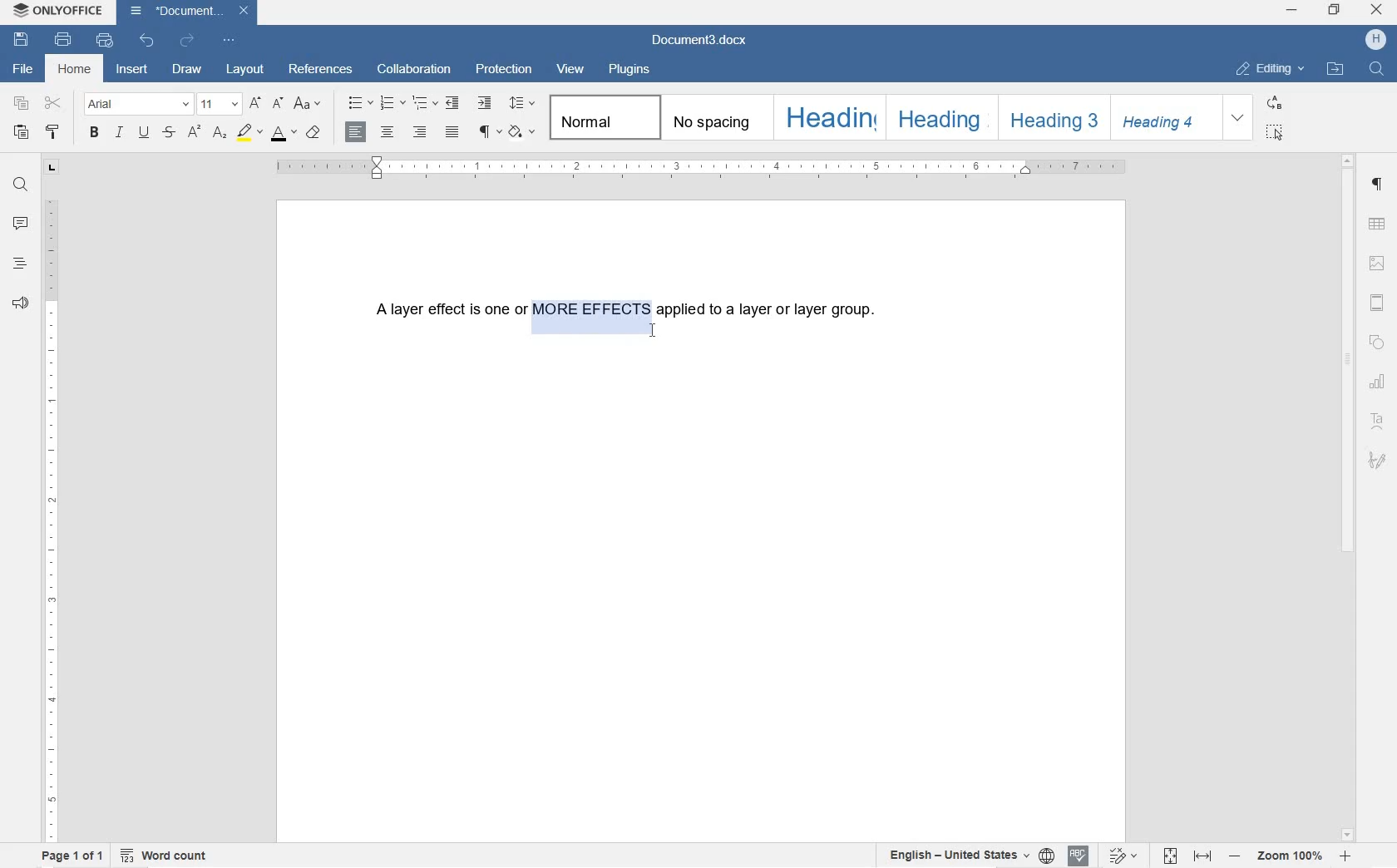 This screenshot has width=1397, height=868. I want to click on VIEW, so click(570, 70).